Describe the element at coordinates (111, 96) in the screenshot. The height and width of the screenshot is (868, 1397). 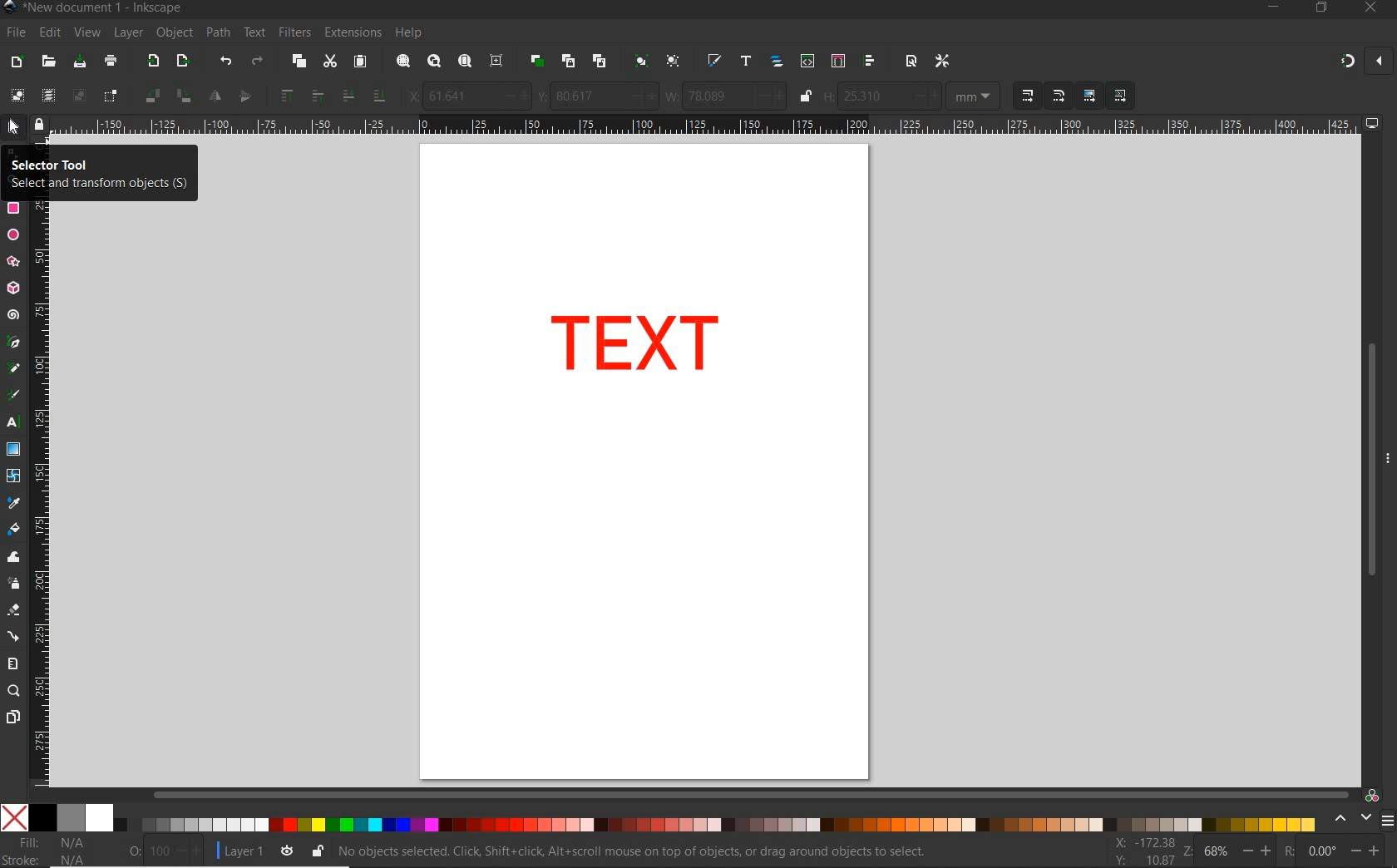
I see `toggle selection box to select all touched objects` at that location.